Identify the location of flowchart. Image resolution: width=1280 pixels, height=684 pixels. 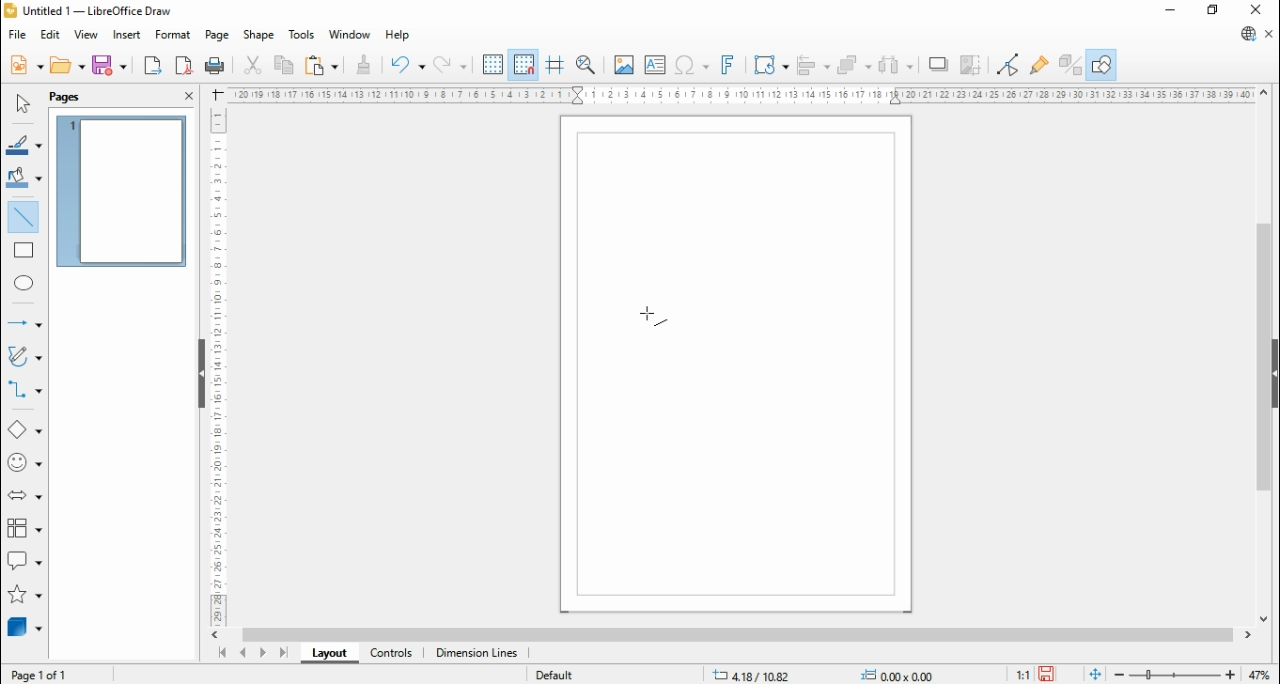
(24, 529).